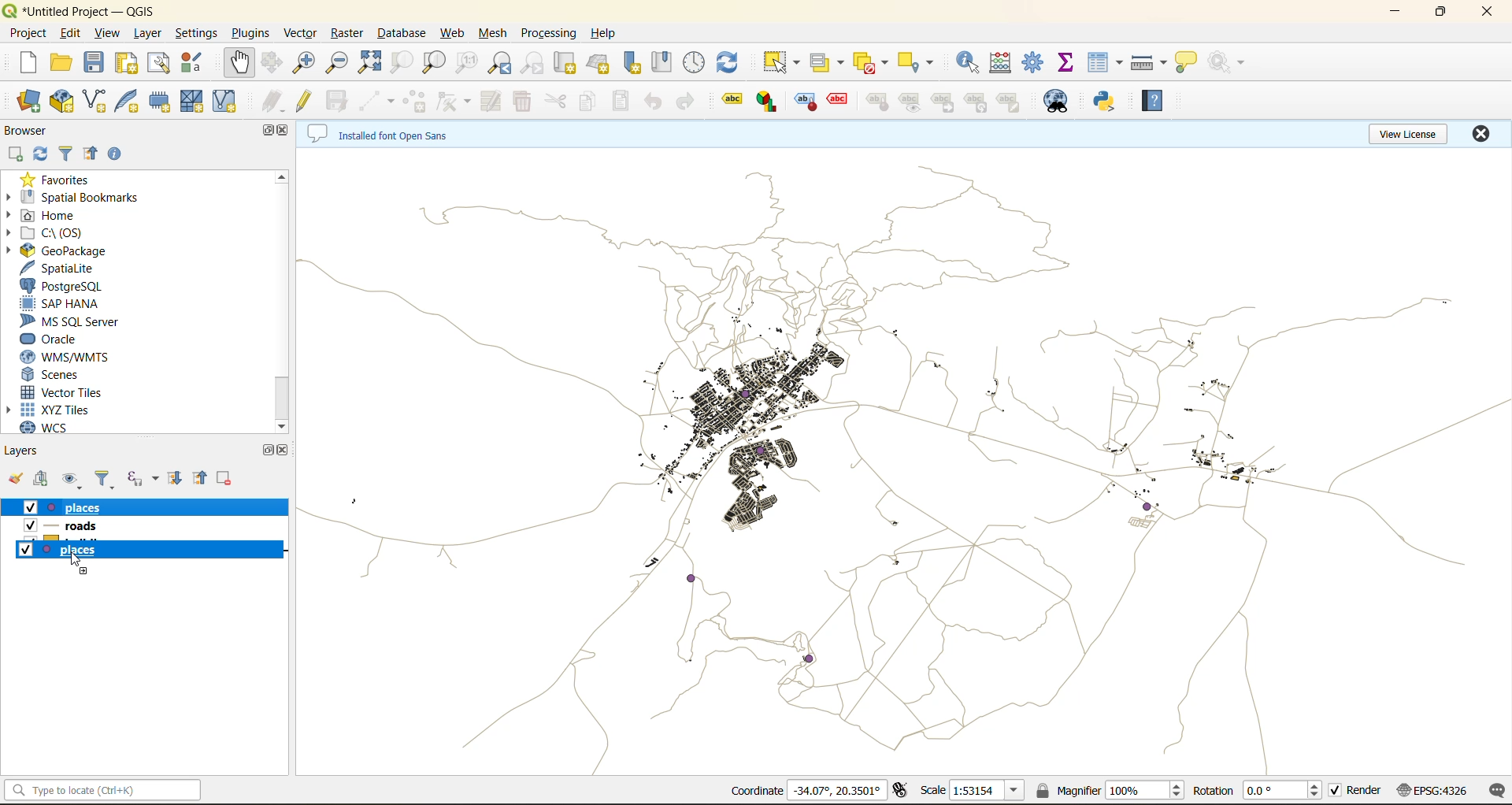 The height and width of the screenshot is (805, 1512). Describe the element at coordinates (698, 59) in the screenshot. I see `control panel` at that location.